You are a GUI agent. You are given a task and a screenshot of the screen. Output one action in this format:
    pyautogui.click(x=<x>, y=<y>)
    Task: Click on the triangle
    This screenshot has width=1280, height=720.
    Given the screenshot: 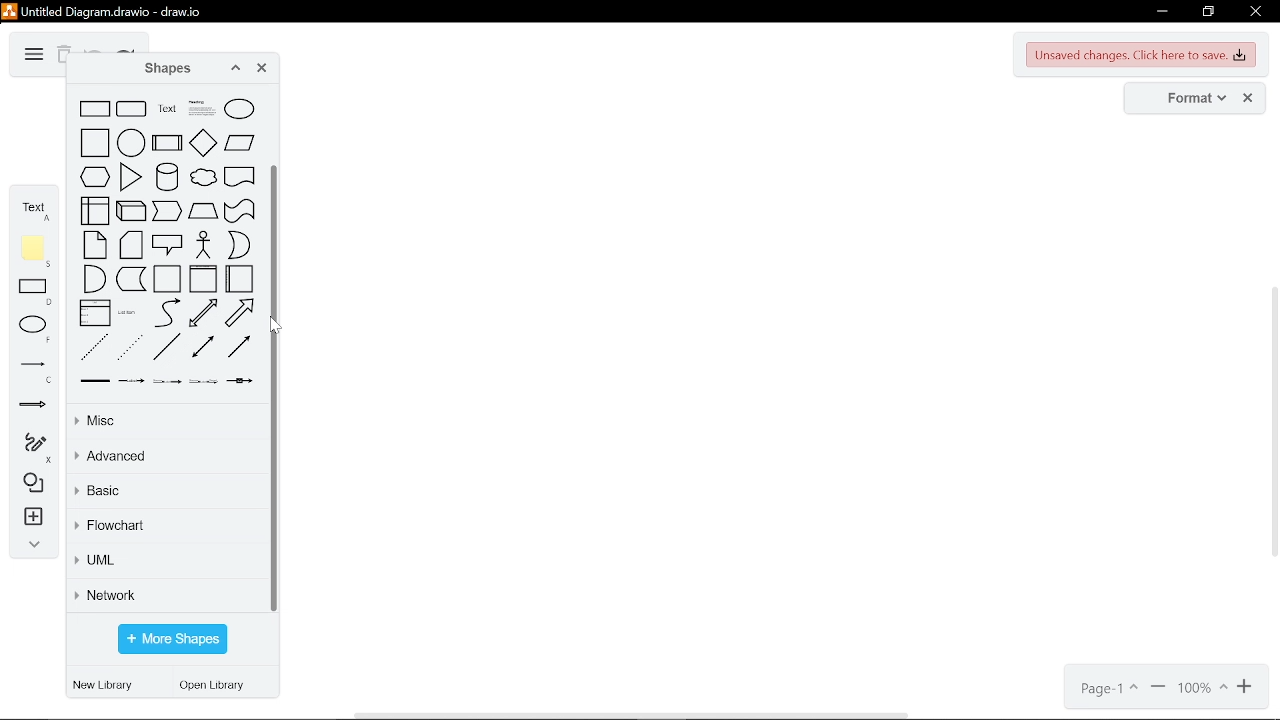 What is the action you would take?
    pyautogui.click(x=131, y=177)
    